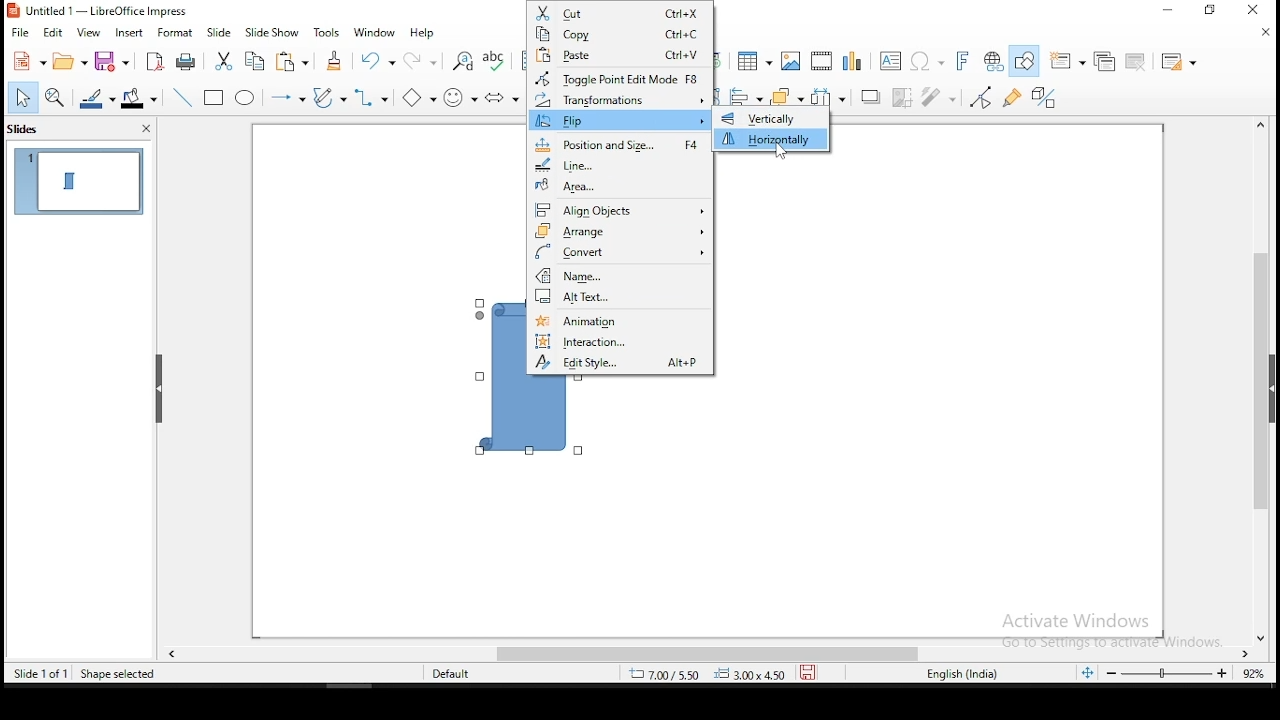 This screenshot has height=720, width=1280. I want to click on undo, so click(375, 62).